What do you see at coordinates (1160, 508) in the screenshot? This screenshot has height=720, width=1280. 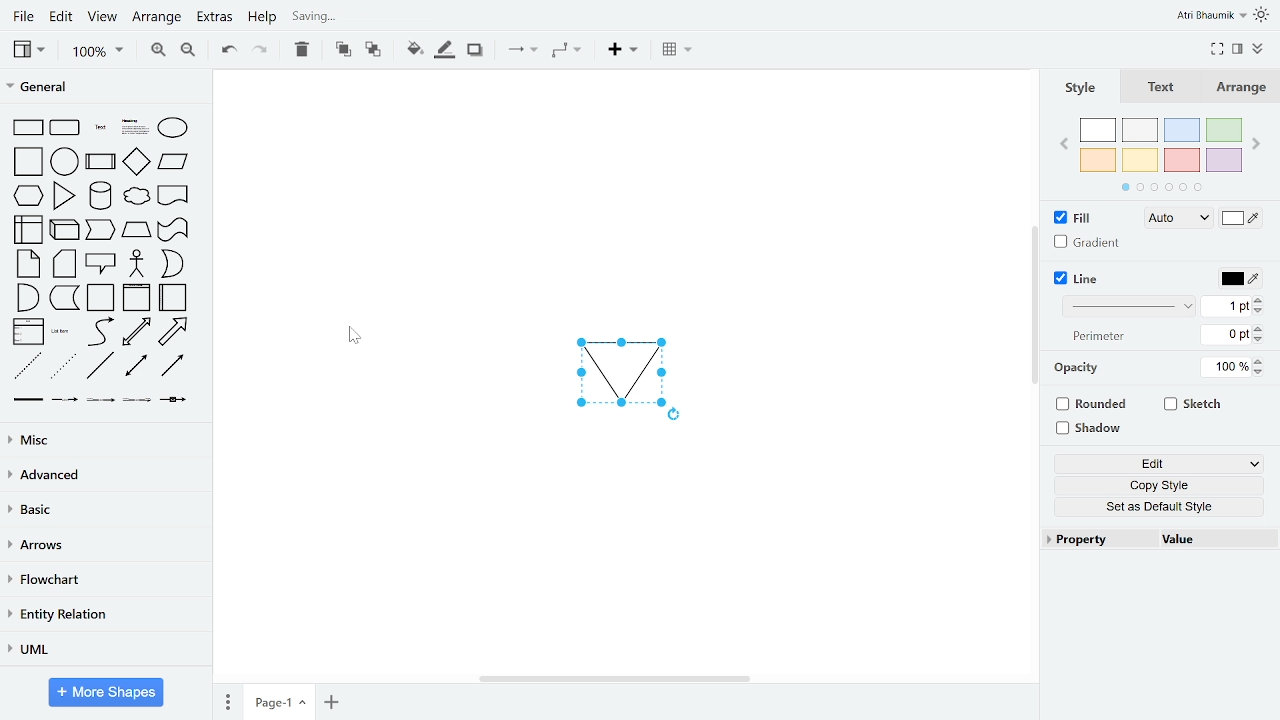 I see `set as default style` at bounding box center [1160, 508].